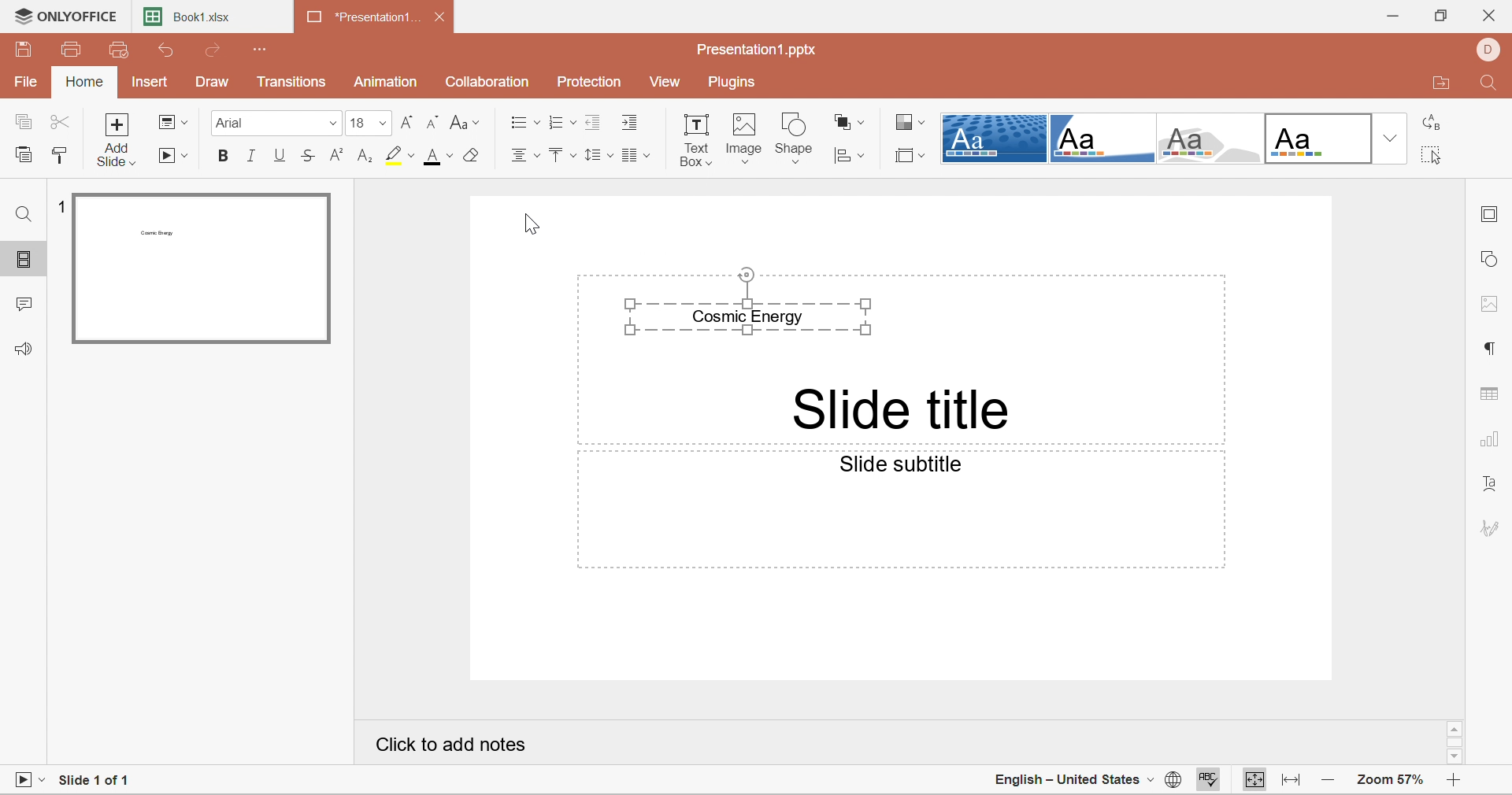 Image resolution: width=1512 pixels, height=795 pixels. Describe the element at coordinates (1489, 87) in the screenshot. I see `Find` at that location.